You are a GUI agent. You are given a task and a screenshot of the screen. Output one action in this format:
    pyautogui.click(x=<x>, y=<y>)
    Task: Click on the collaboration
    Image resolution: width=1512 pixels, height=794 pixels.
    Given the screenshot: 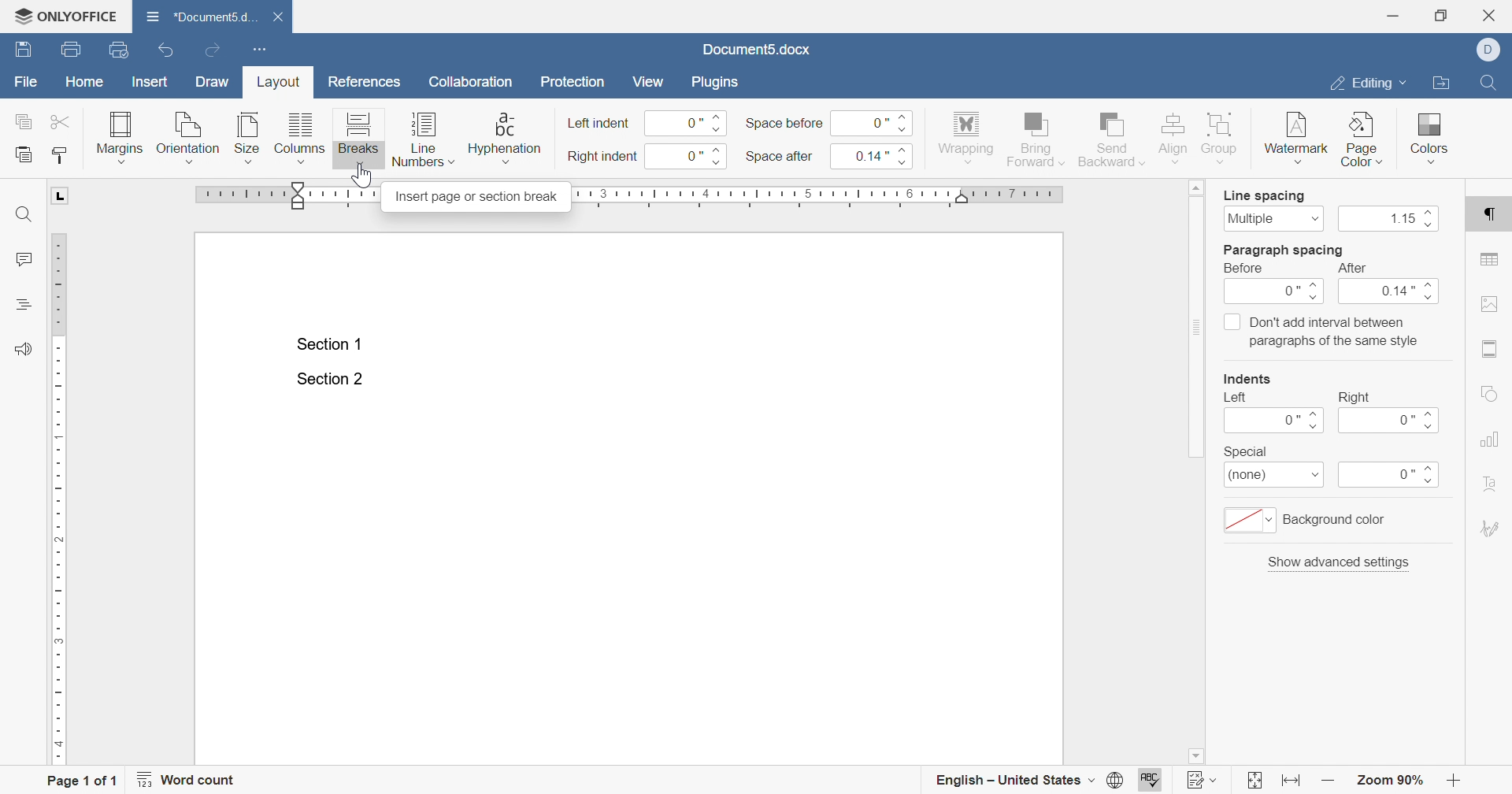 What is the action you would take?
    pyautogui.click(x=476, y=85)
    